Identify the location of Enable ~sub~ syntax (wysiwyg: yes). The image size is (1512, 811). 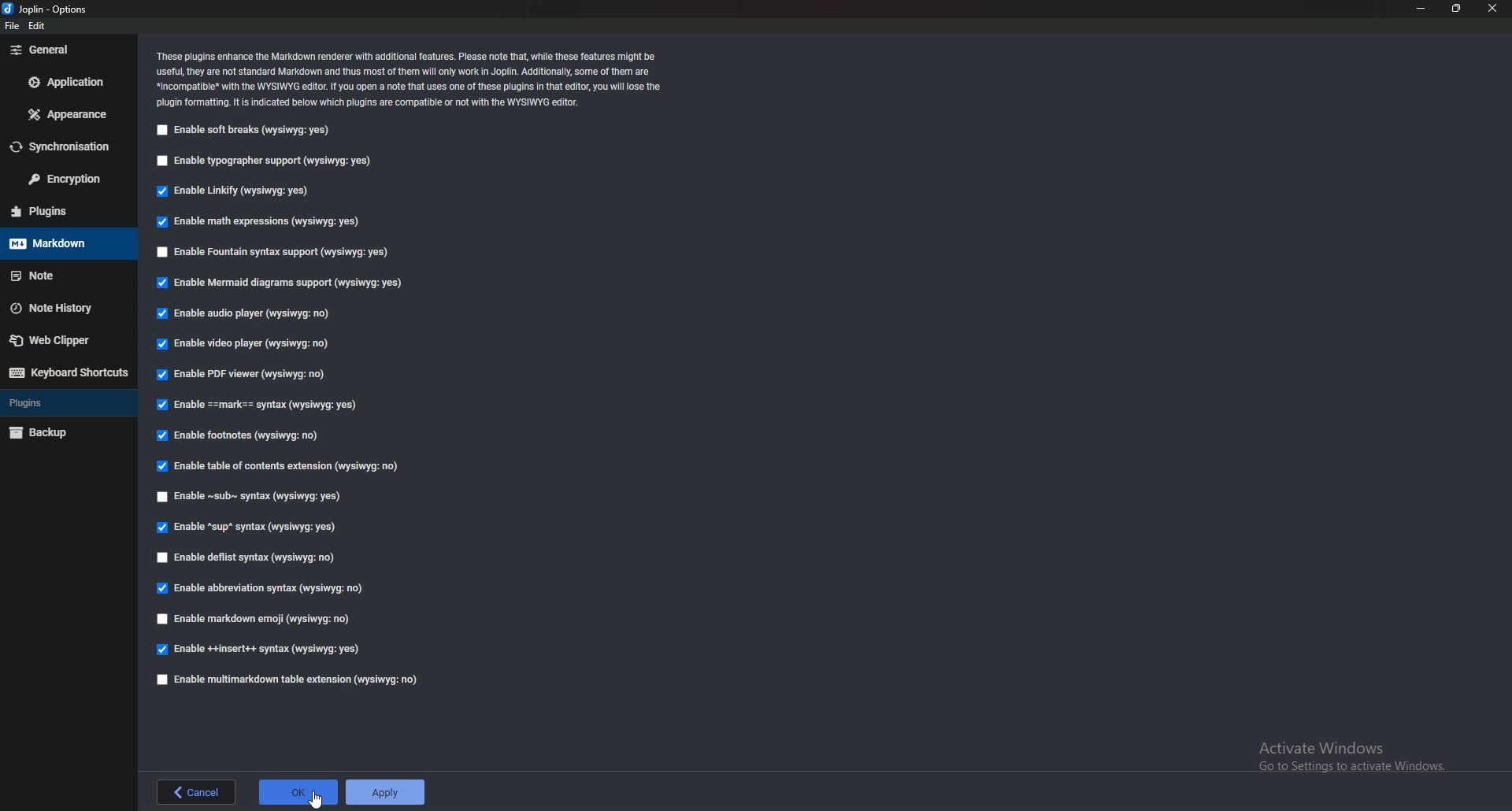
(254, 495).